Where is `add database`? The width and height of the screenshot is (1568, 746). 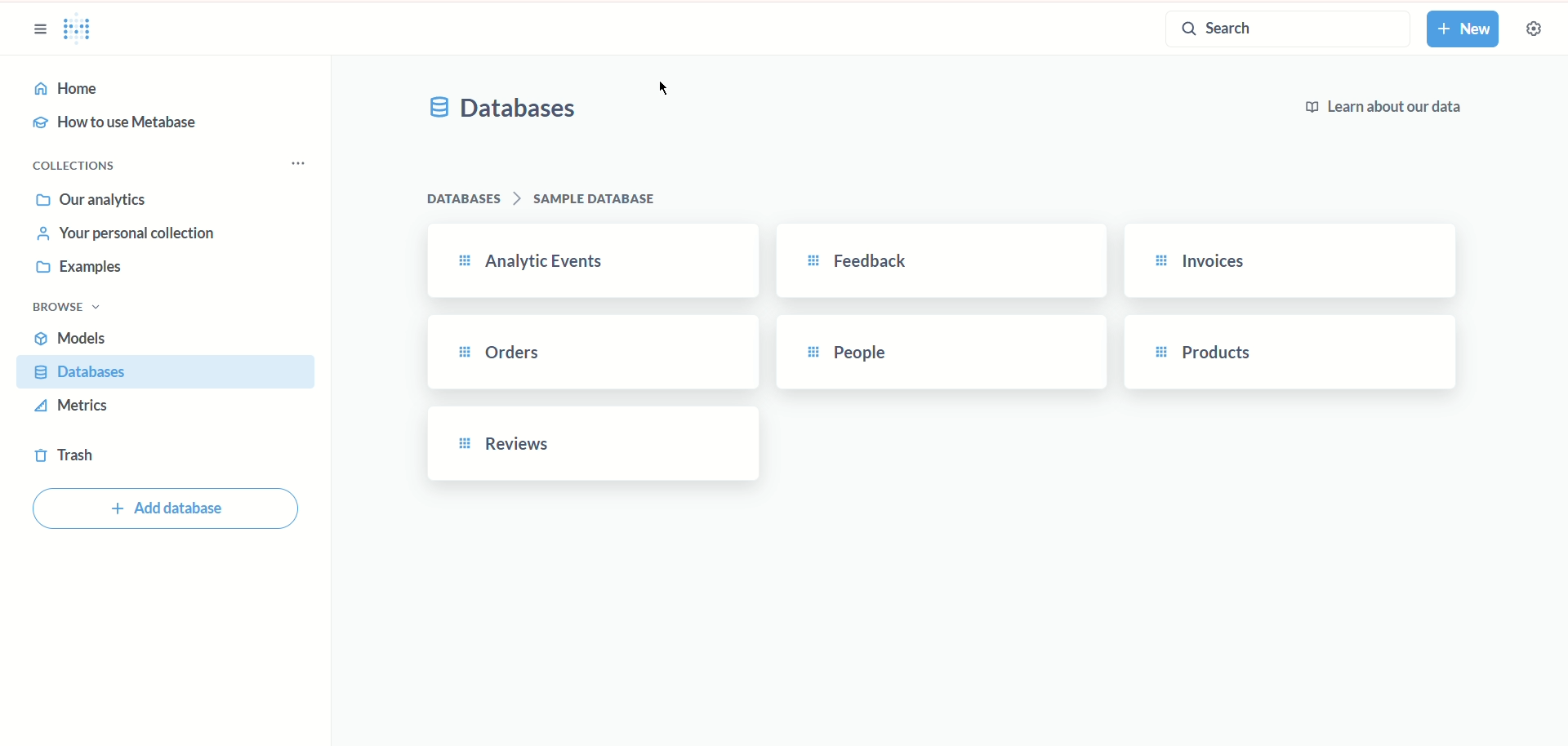
add database is located at coordinates (165, 508).